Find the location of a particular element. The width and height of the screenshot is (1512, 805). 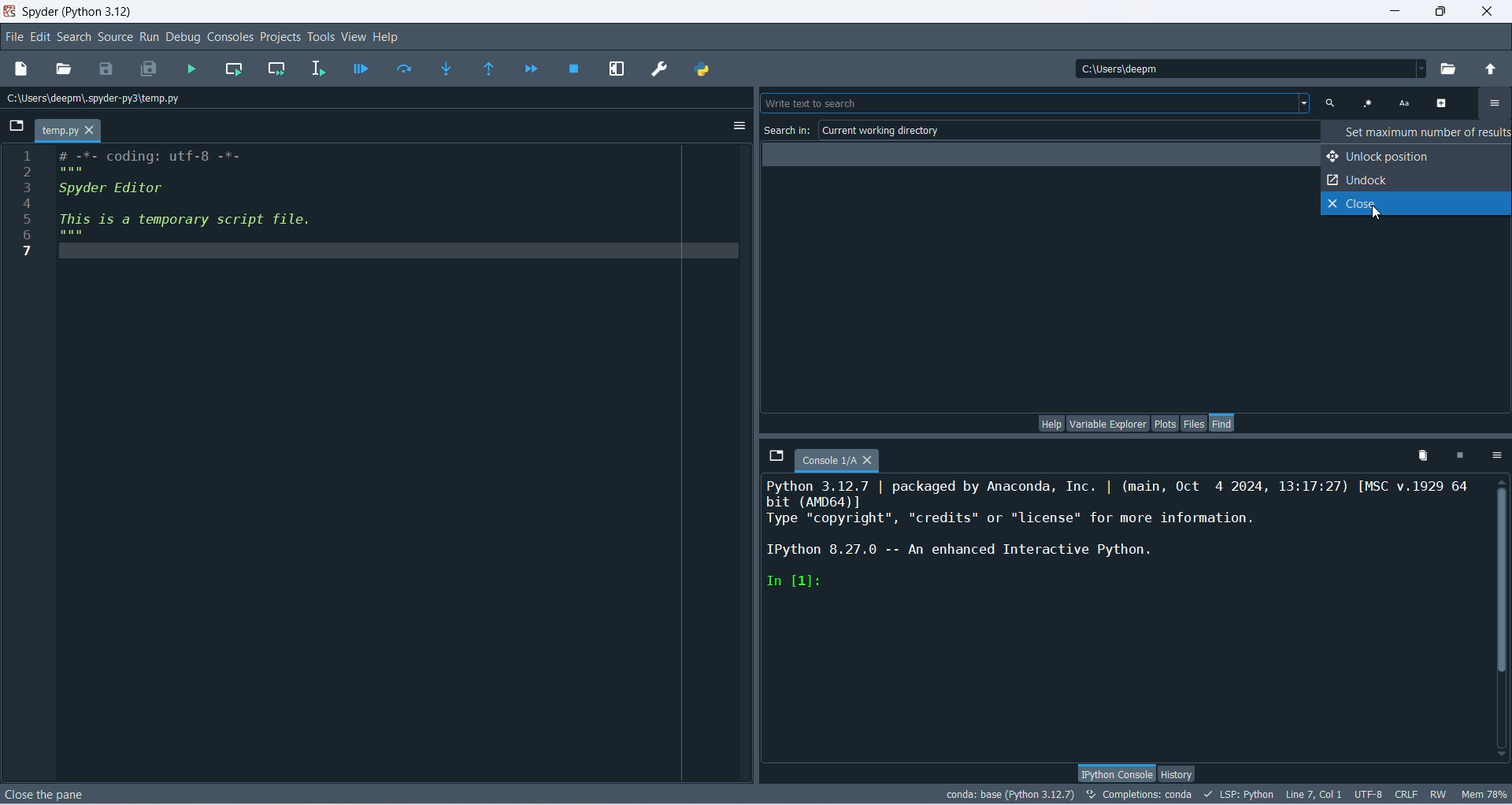

temp.py is located at coordinates (69, 131).